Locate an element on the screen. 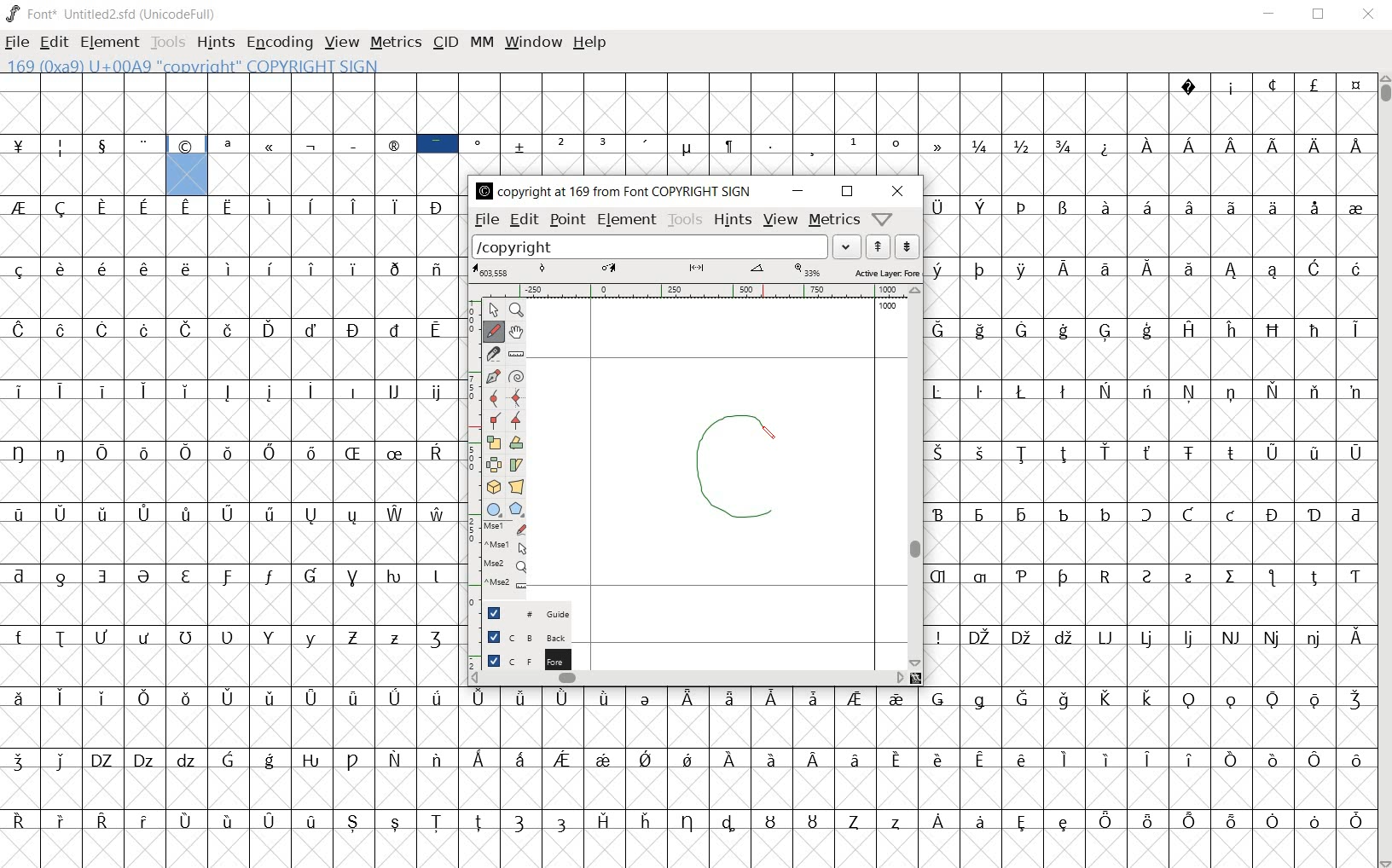  tools is located at coordinates (170, 44).